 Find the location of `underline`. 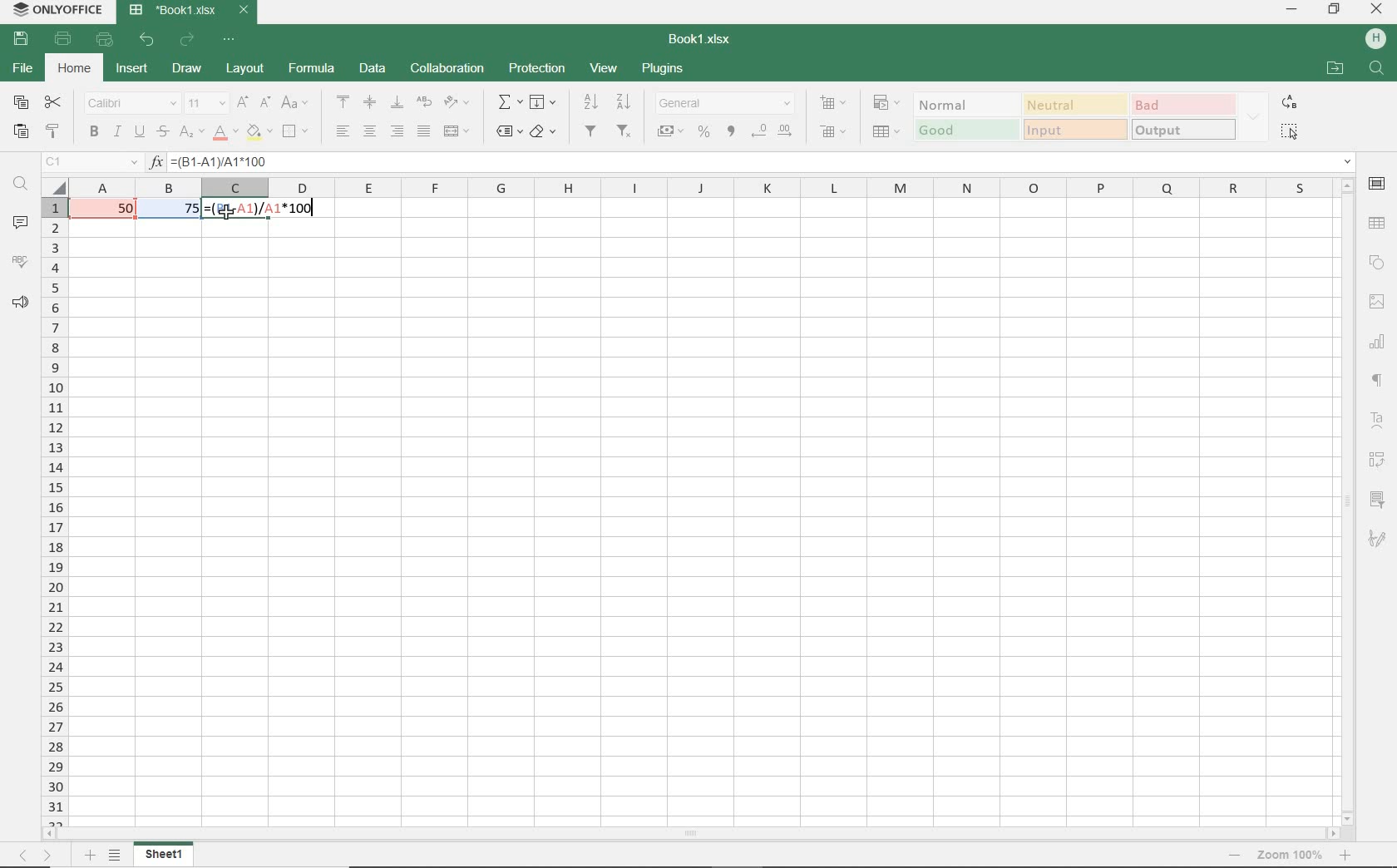

underline is located at coordinates (140, 134).